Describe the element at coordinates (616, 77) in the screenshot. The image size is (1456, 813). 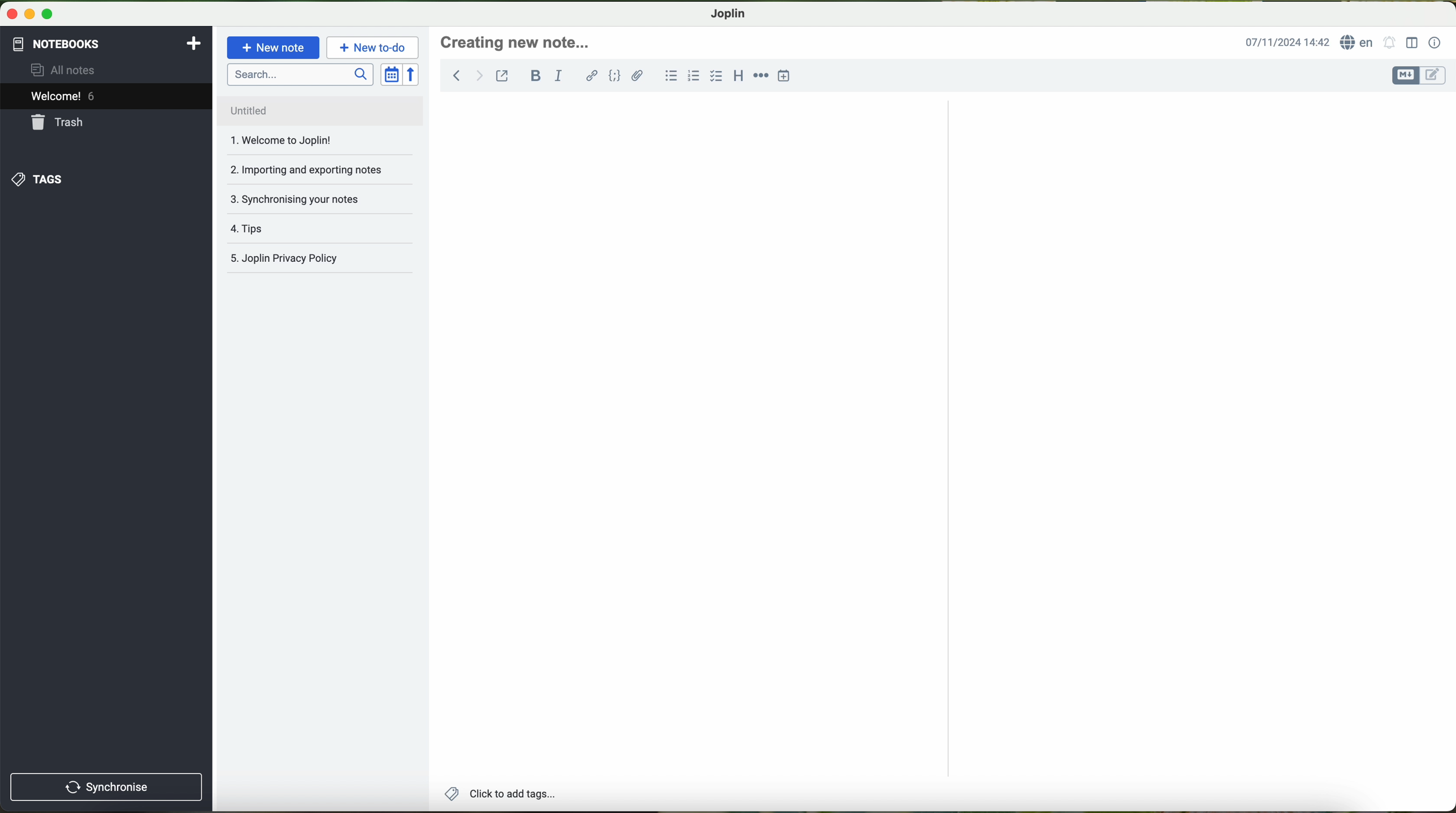
I see `code` at that location.